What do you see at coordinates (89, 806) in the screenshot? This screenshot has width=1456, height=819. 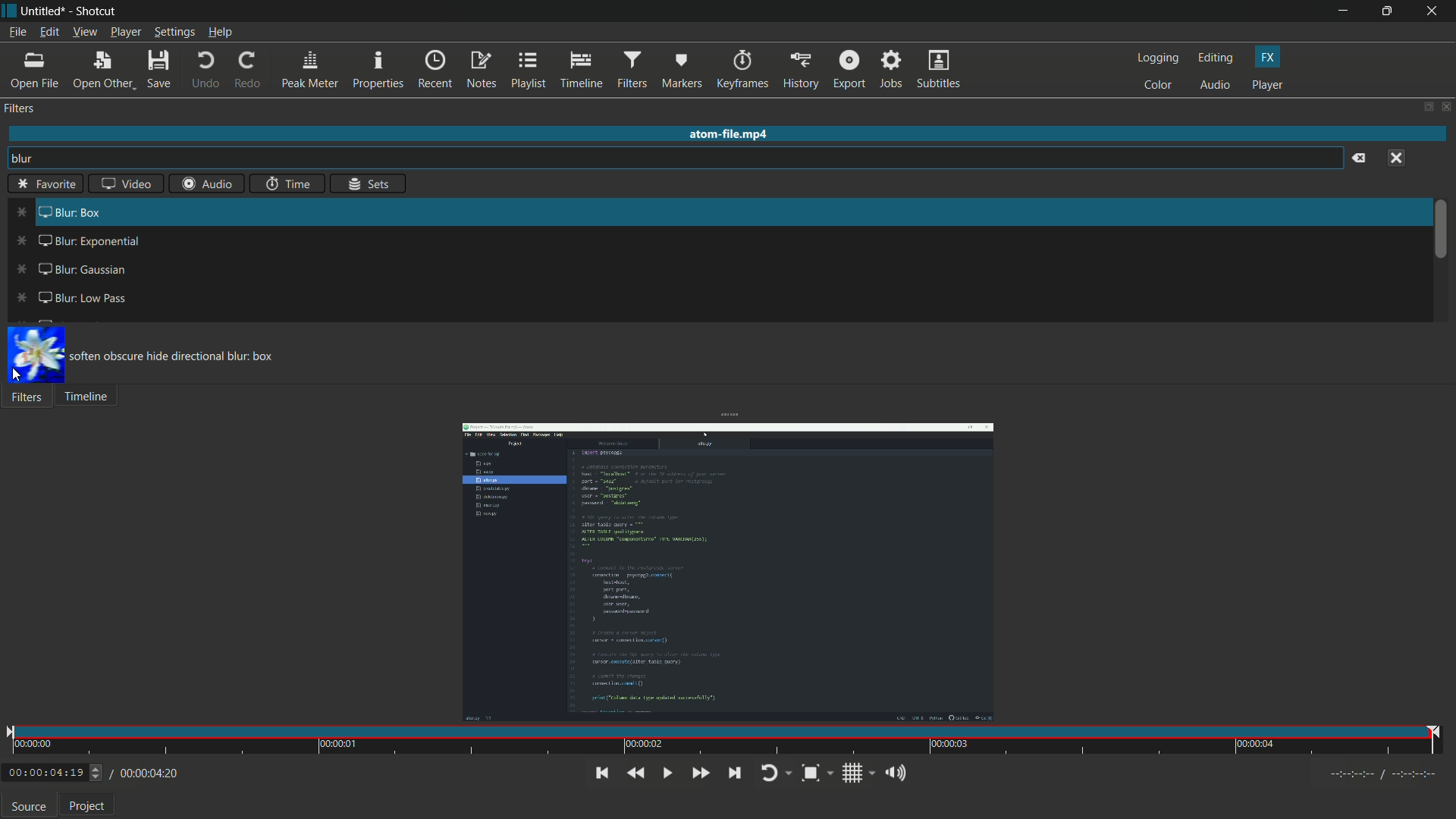 I see `project` at bounding box center [89, 806].